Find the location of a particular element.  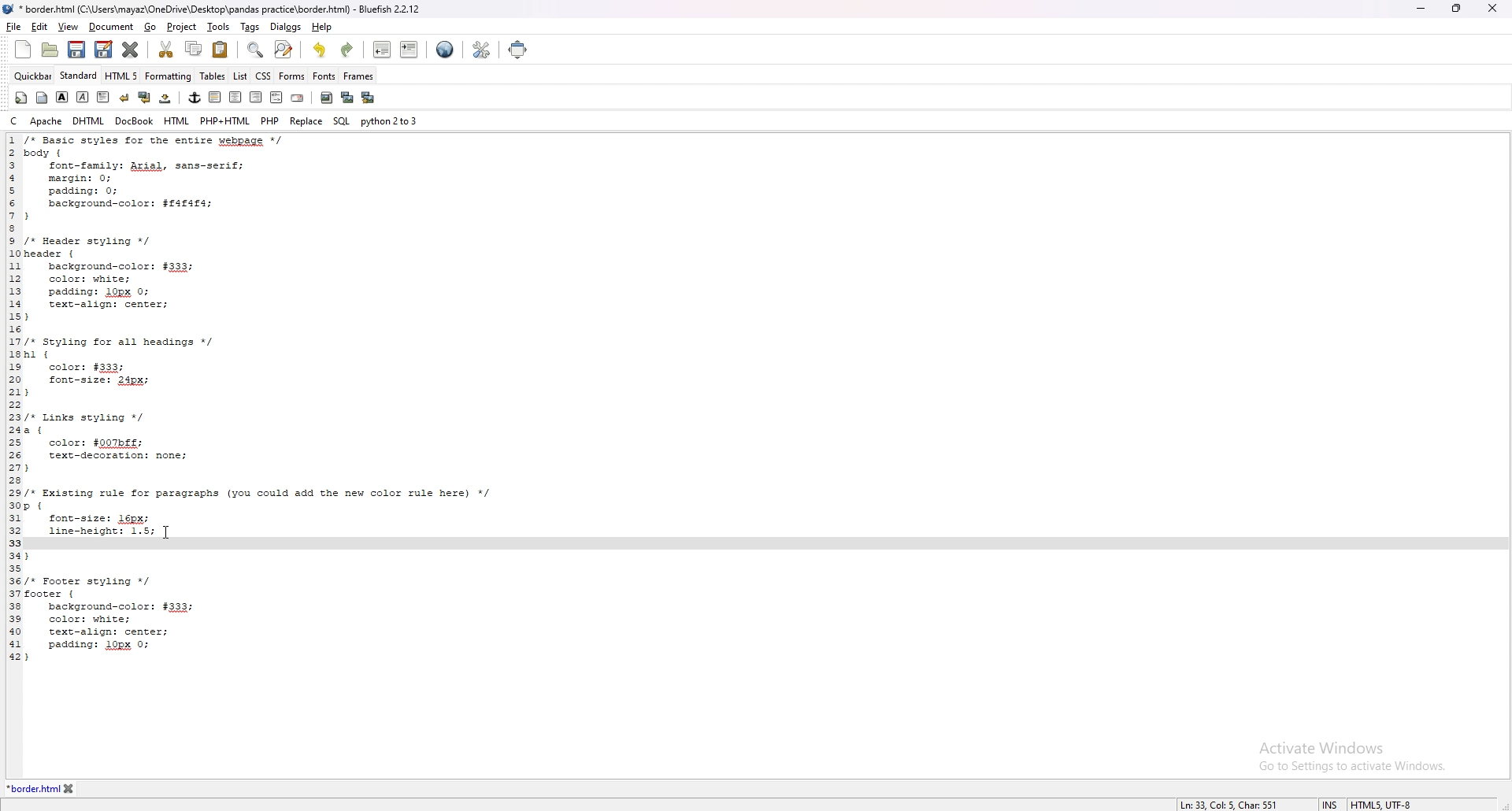

html is located at coordinates (176, 120).